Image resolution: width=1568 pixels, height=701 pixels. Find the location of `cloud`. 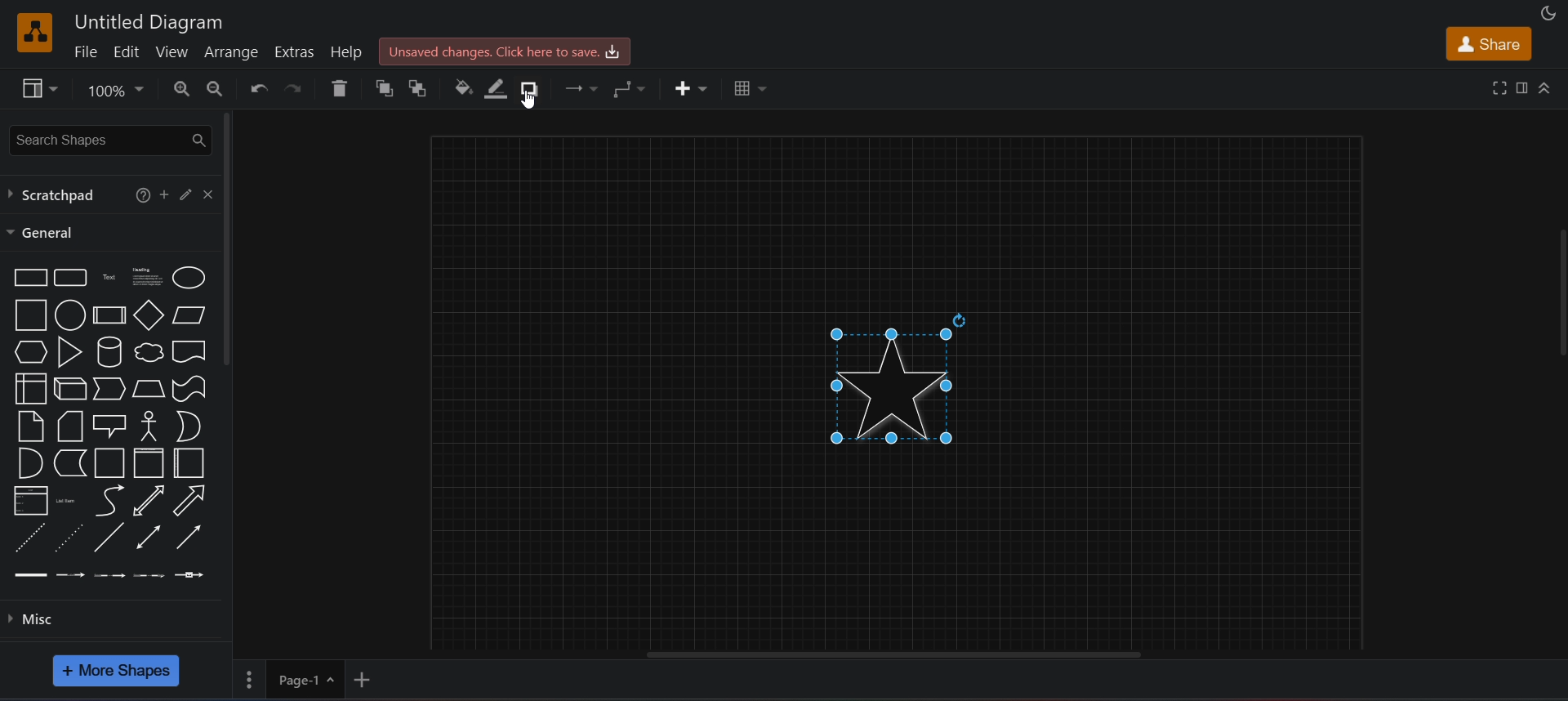

cloud is located at coordinates (146, 352).